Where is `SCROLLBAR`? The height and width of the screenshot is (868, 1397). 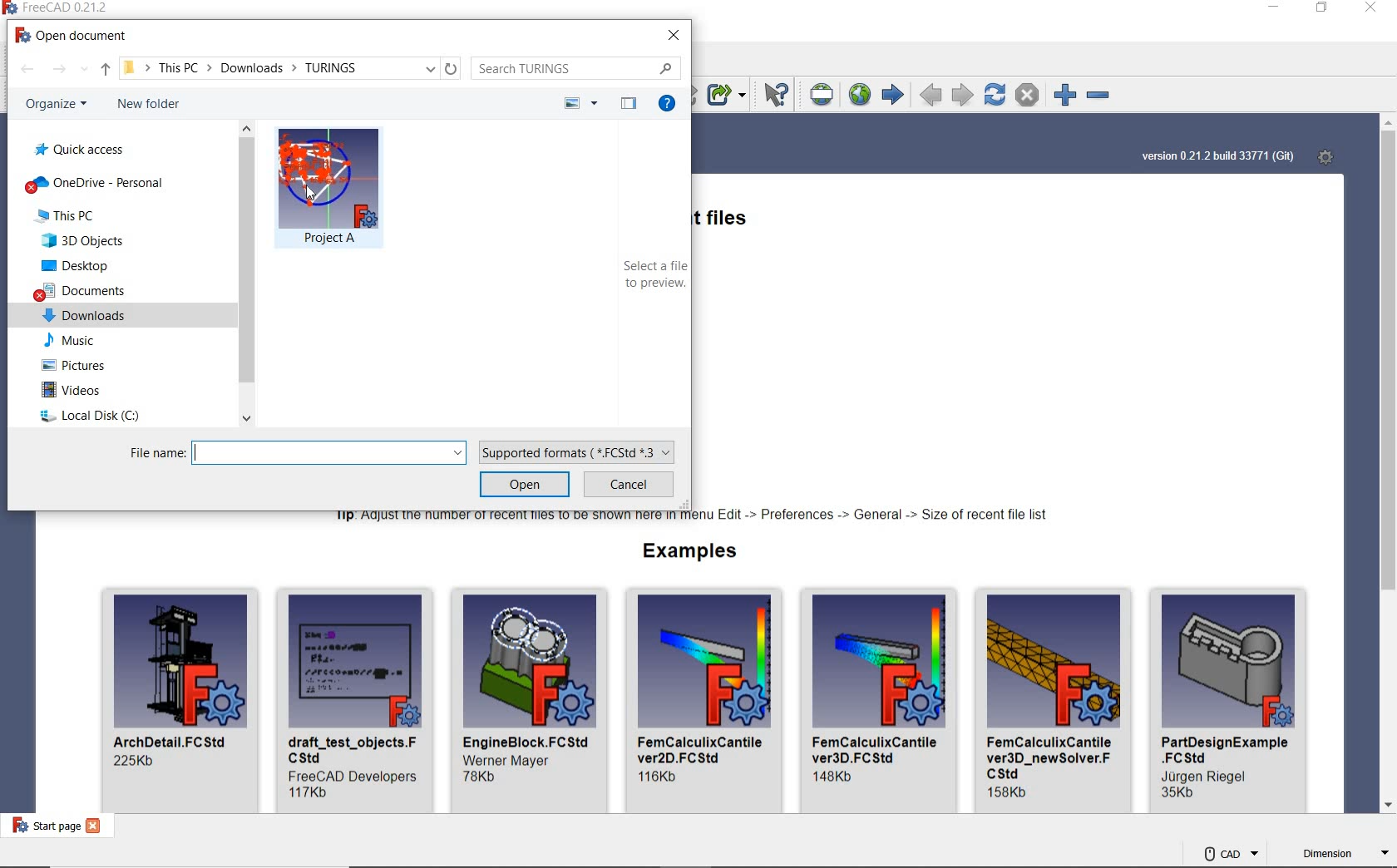
SCROLLBAR is located at coordinates (1389, 466).